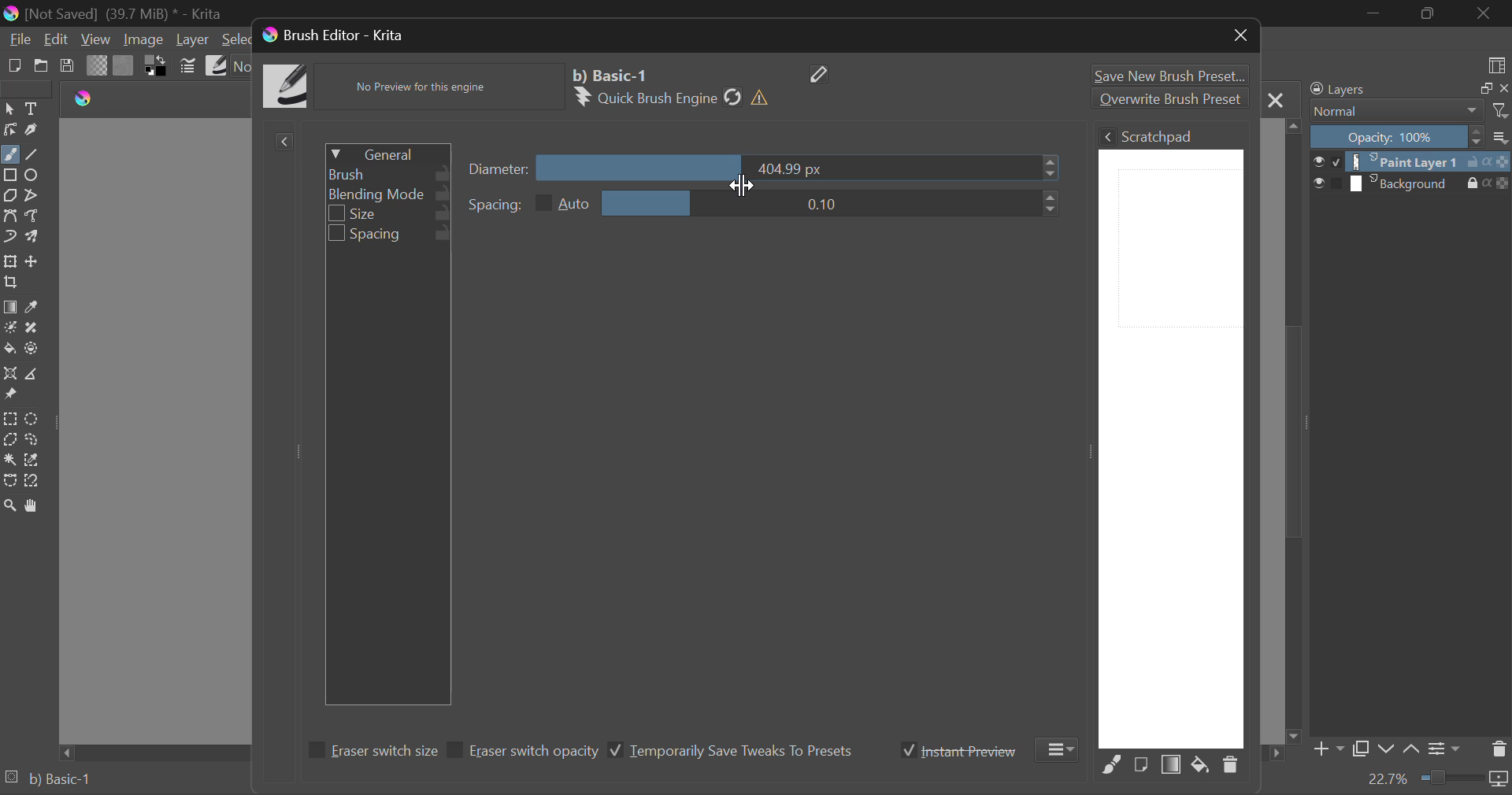 This screenshot has width=1512, height=795. Describe the element at coordinates (34, 373) in the screenshot. I see `Measurement` at that location.